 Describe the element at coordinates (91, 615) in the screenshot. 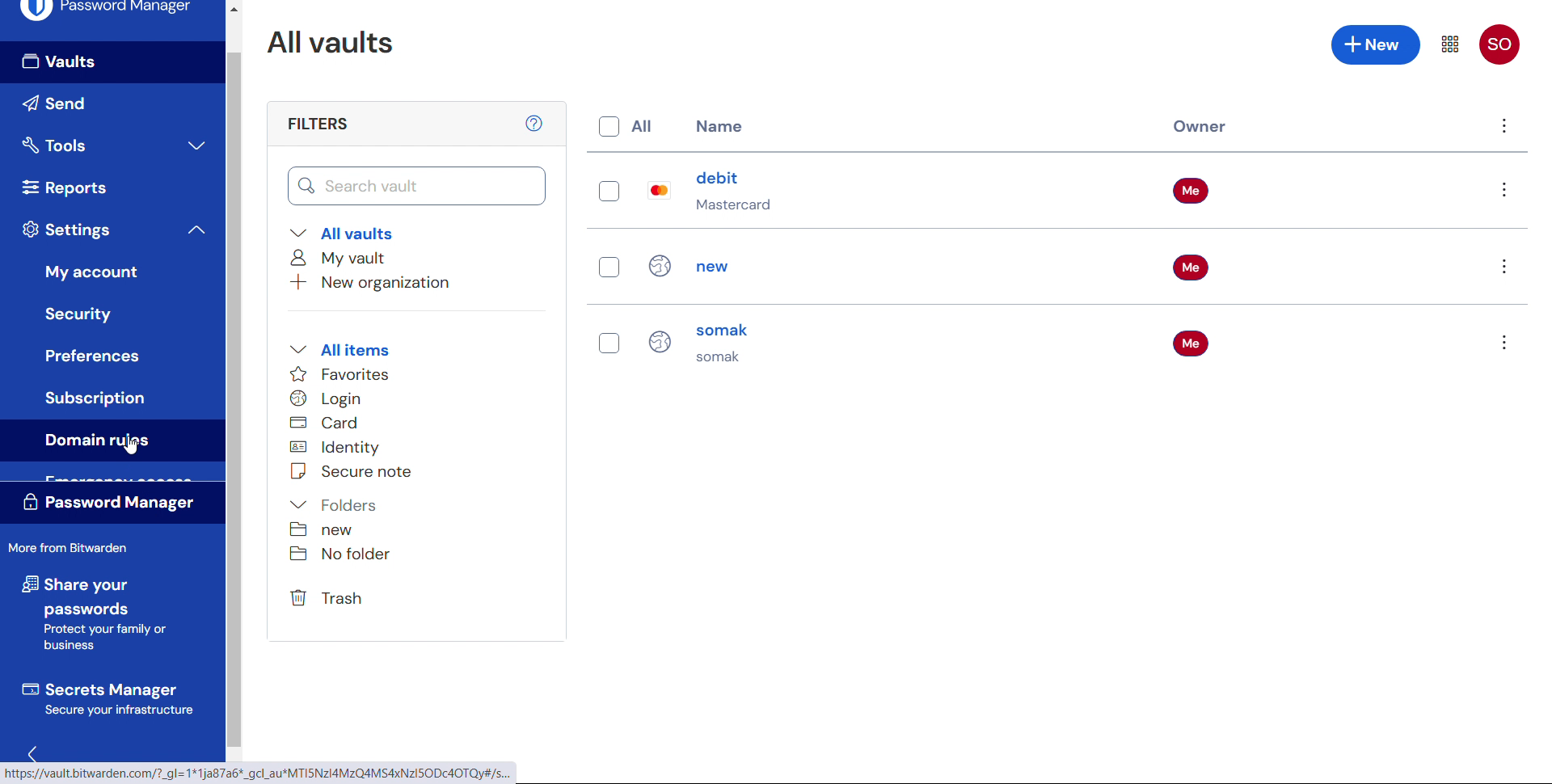

I see `share your passwords Protect your family or business` at that location.